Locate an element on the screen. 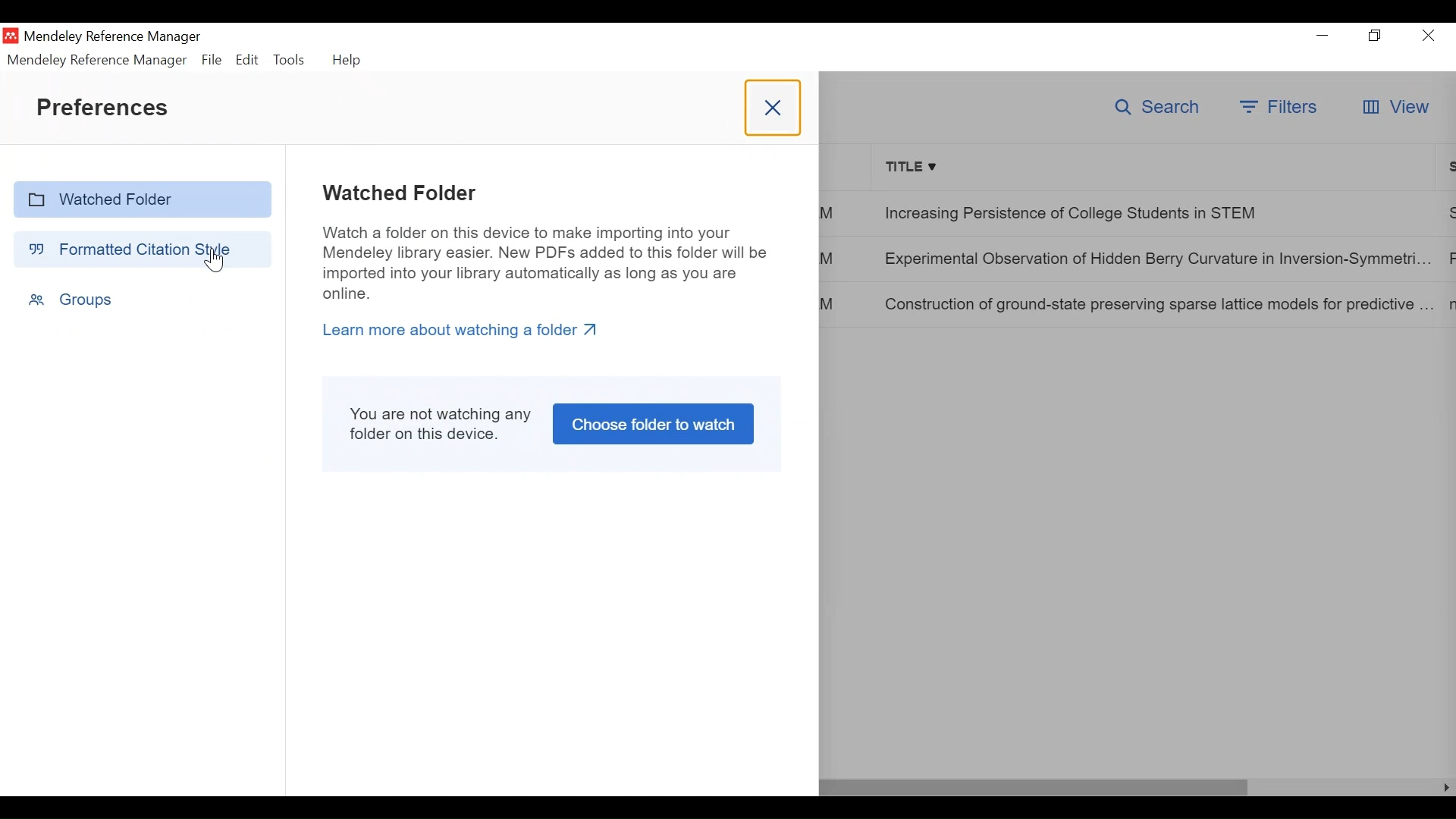 Image resolution: width=1456 pixels, height=819 pixels. Edit is located at coordinates (246, 59).